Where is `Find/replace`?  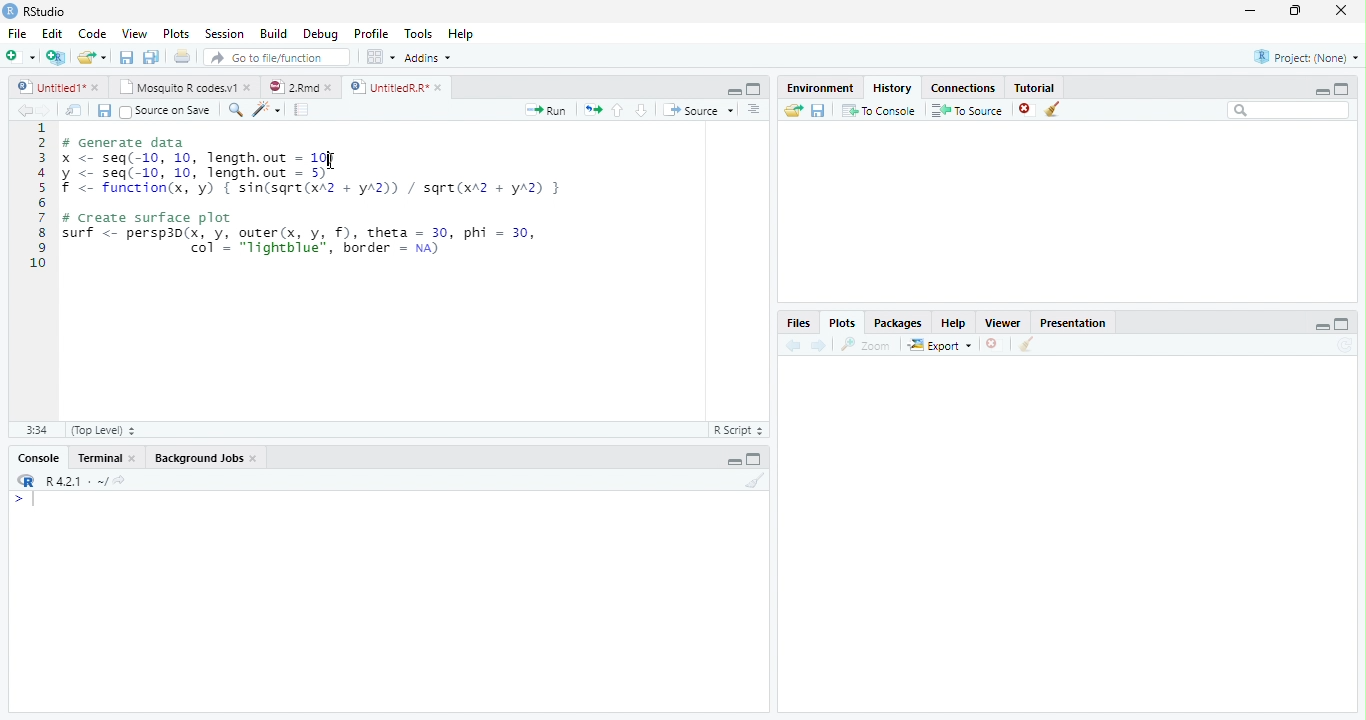
Find/replace is located at coordinates (234, 110).